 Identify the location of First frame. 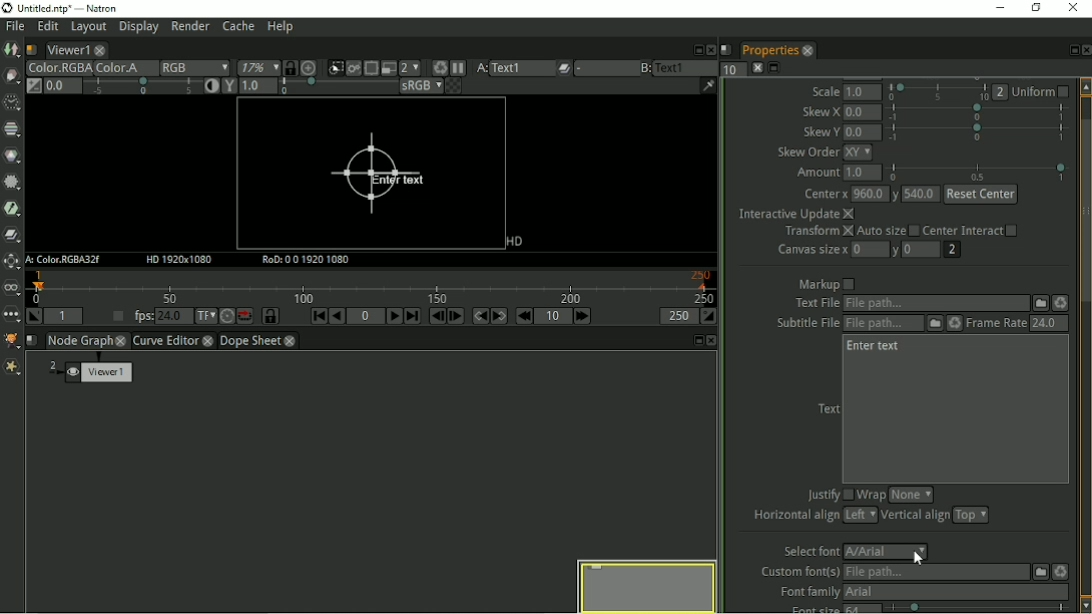
(319, 316).